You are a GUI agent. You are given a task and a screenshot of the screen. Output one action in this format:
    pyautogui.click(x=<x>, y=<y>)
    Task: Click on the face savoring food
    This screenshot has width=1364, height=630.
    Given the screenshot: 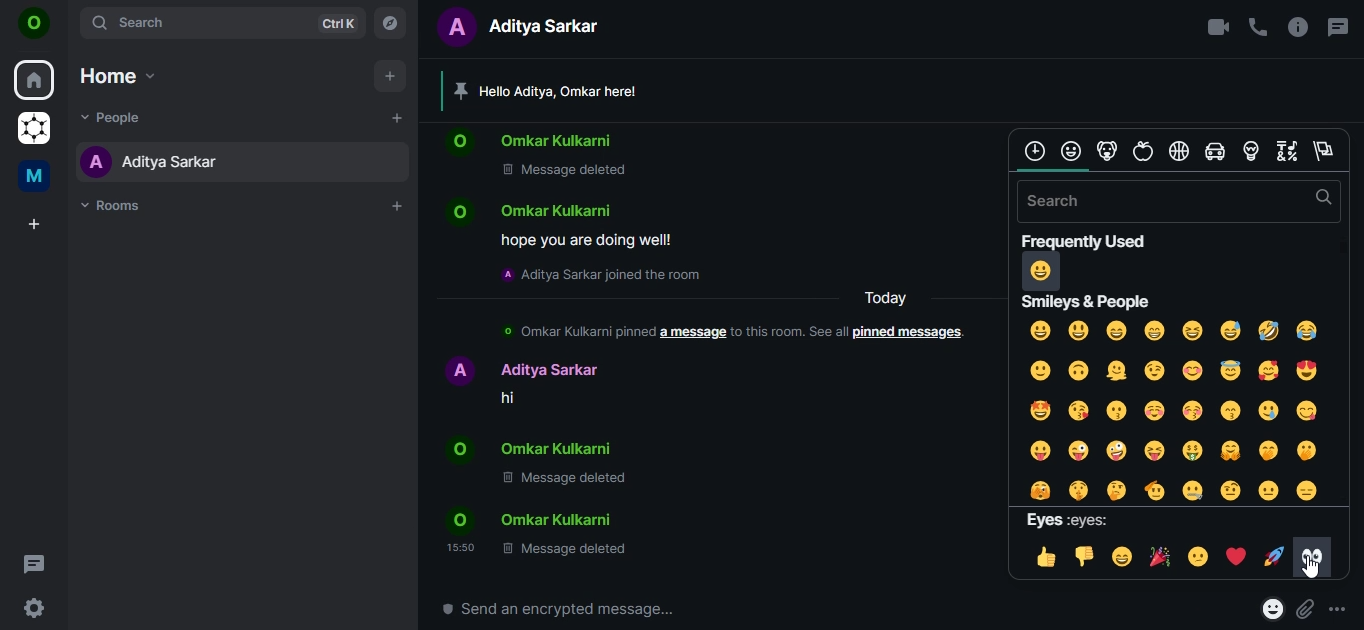 What is the action you would take?
    pyautogui.click(x=1306, y=409)
    